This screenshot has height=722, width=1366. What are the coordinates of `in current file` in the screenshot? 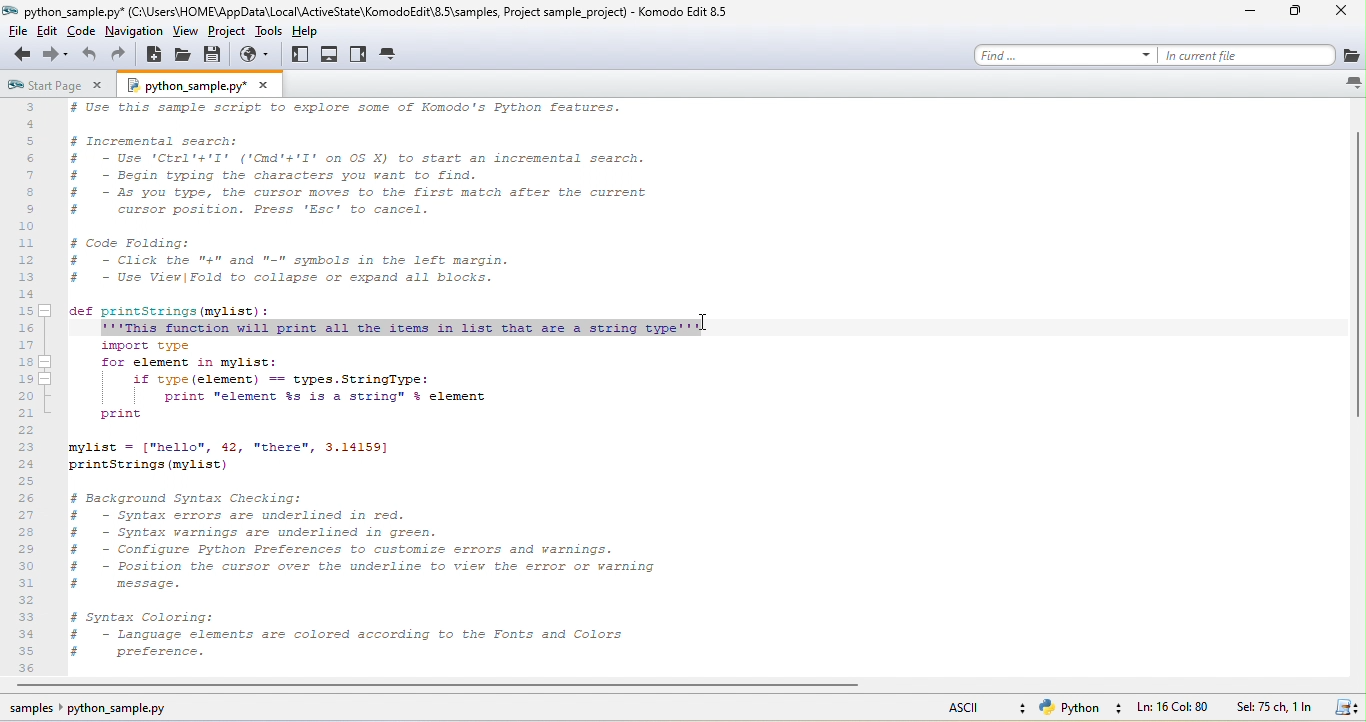 It's located at (1246, 54).